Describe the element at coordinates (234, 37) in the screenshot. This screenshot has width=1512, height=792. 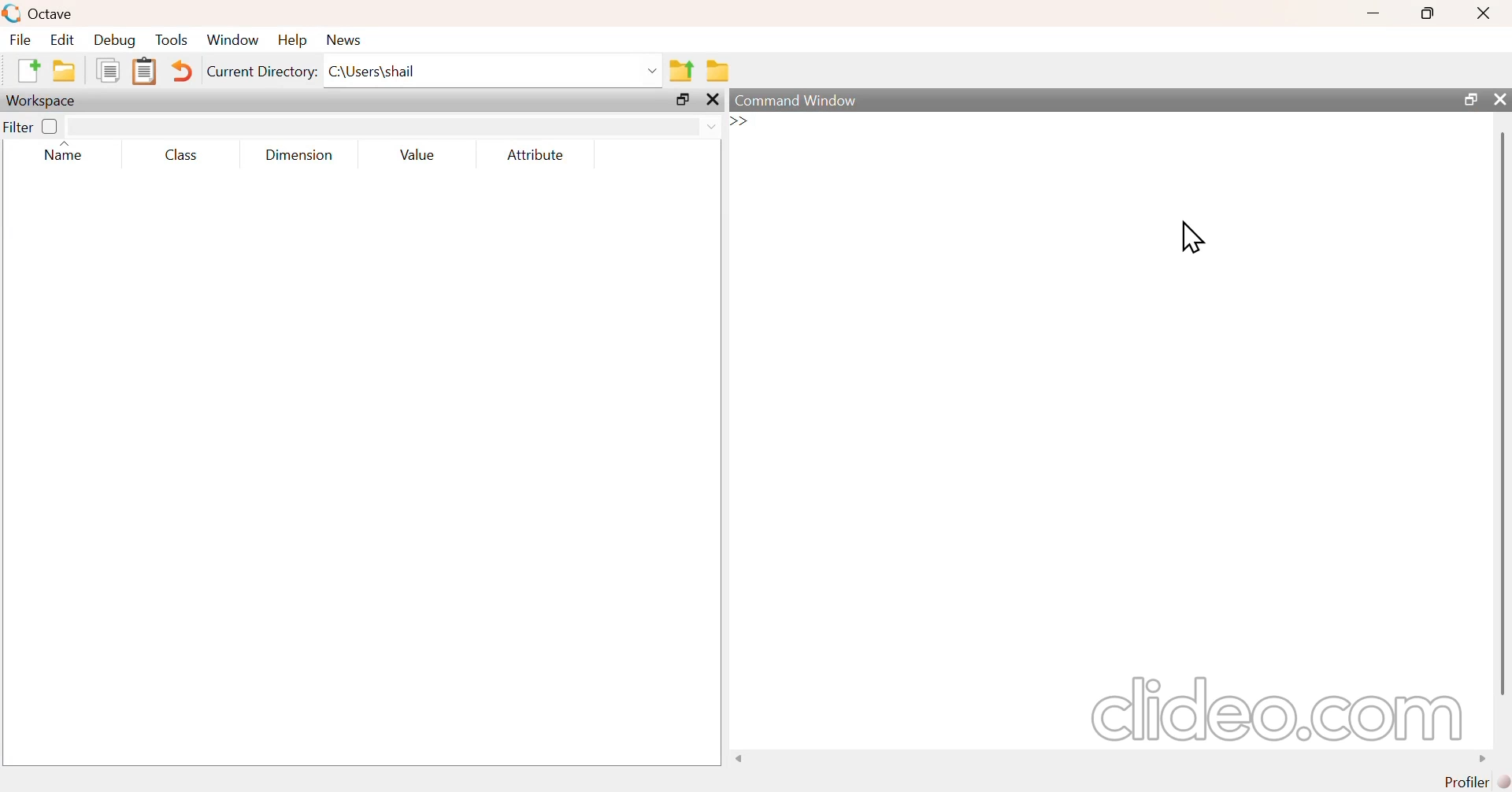
I see `window` at that location.